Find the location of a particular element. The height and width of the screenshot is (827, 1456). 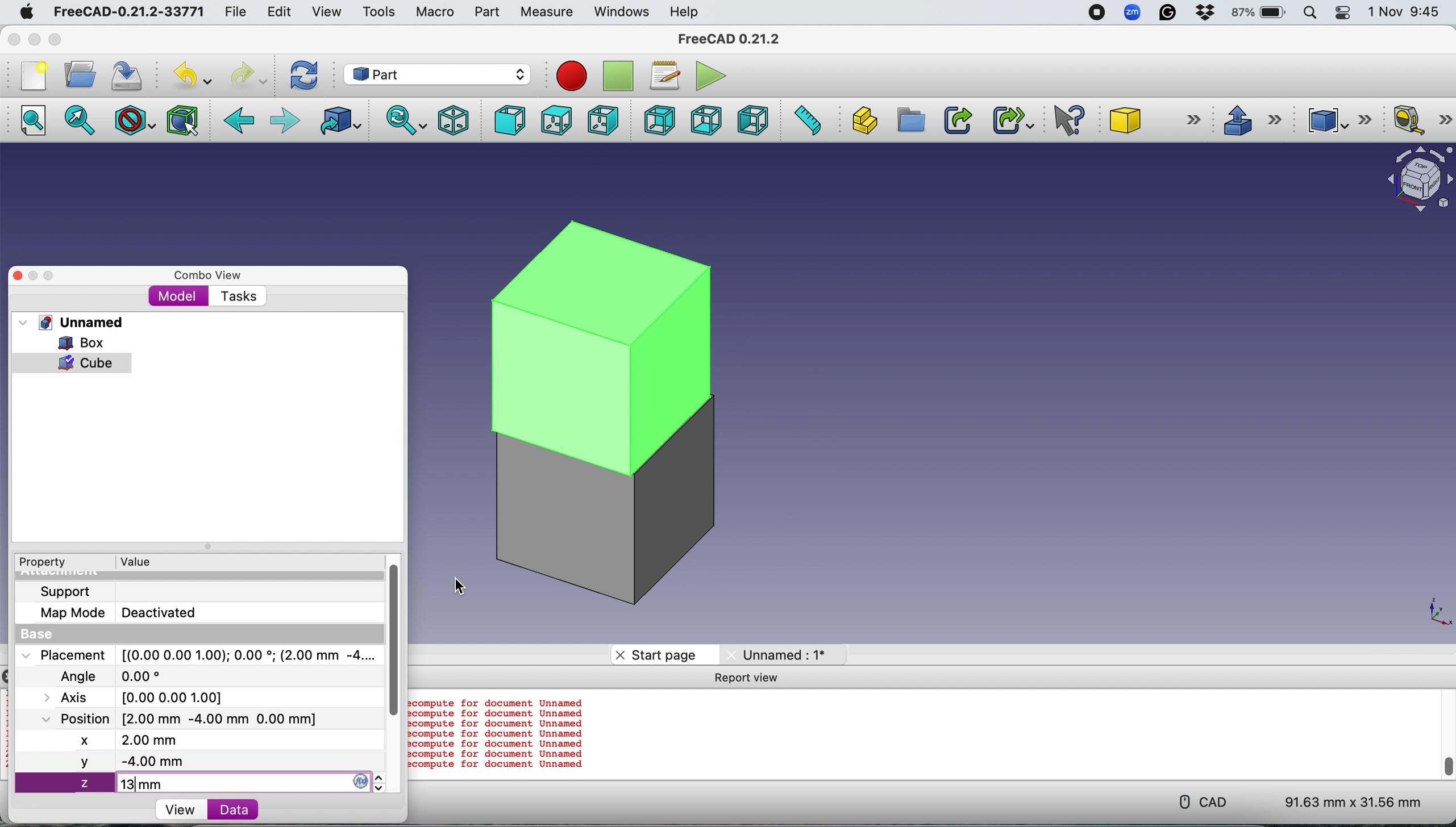

Value is located at coordinates (140, 561).